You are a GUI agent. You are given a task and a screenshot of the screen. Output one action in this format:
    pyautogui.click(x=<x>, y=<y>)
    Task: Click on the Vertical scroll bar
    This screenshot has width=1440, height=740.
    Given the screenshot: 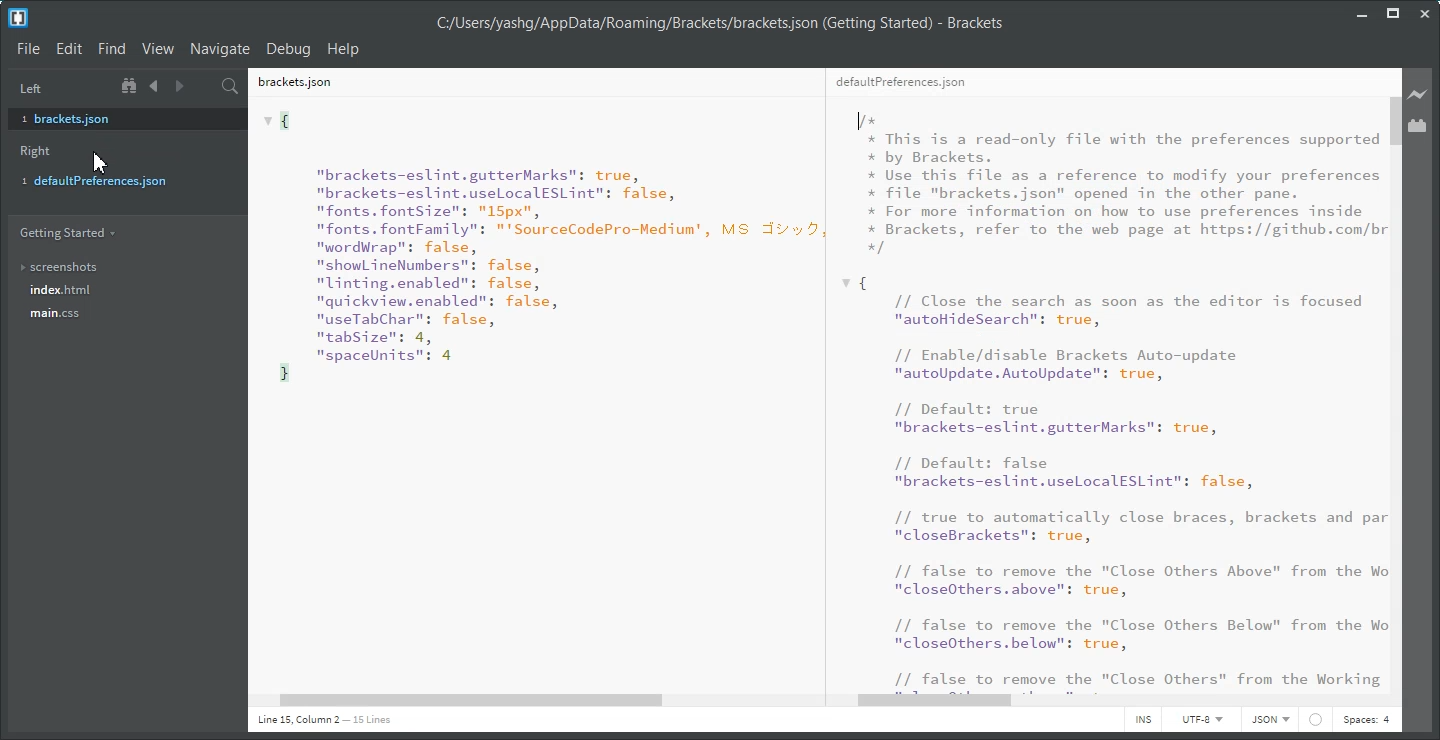 What is the action you would take?
    pyautogui.click(x=1395, y=378)
    